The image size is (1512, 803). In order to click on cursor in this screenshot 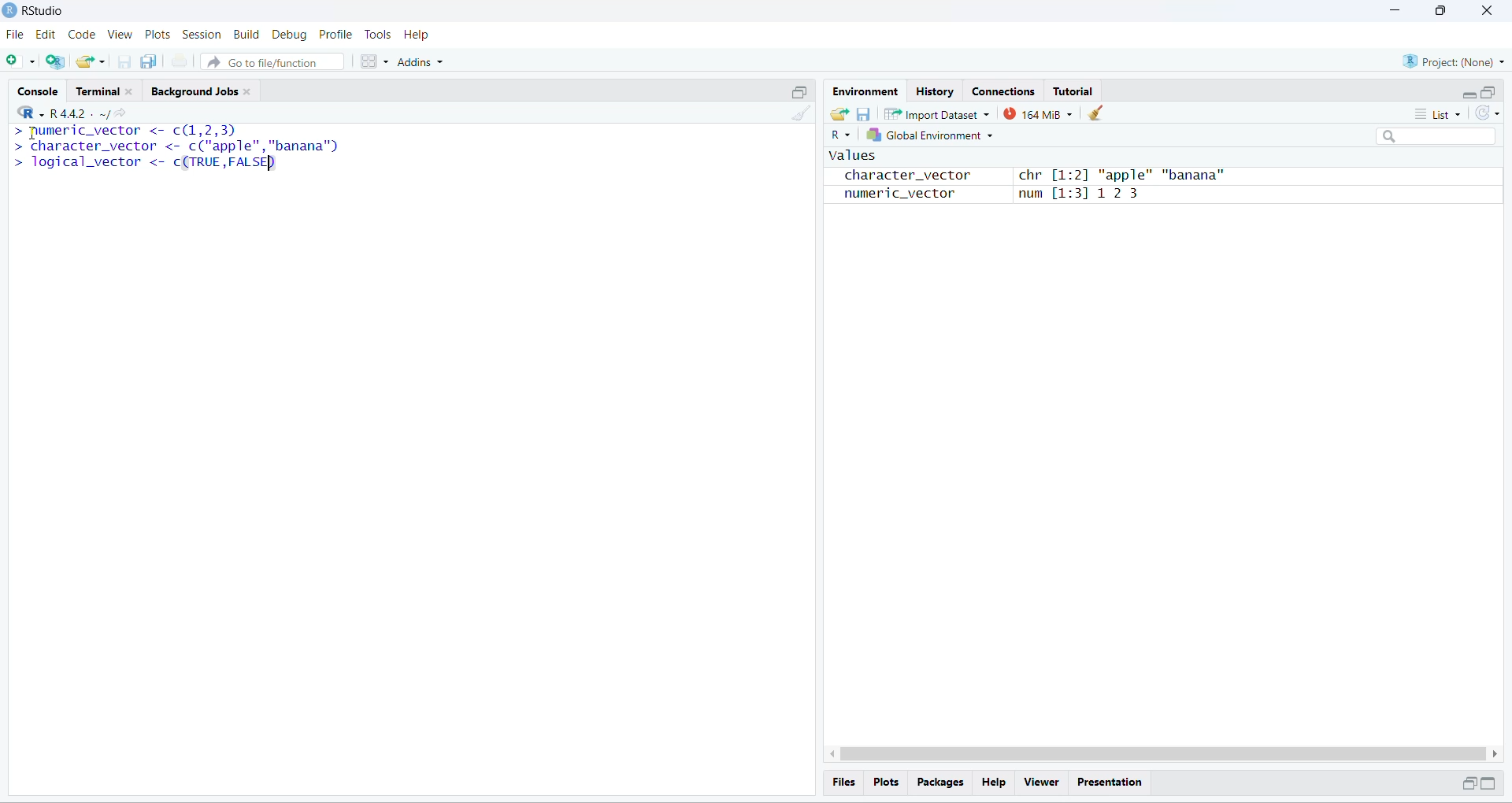, I will do `click(31, 133)`.